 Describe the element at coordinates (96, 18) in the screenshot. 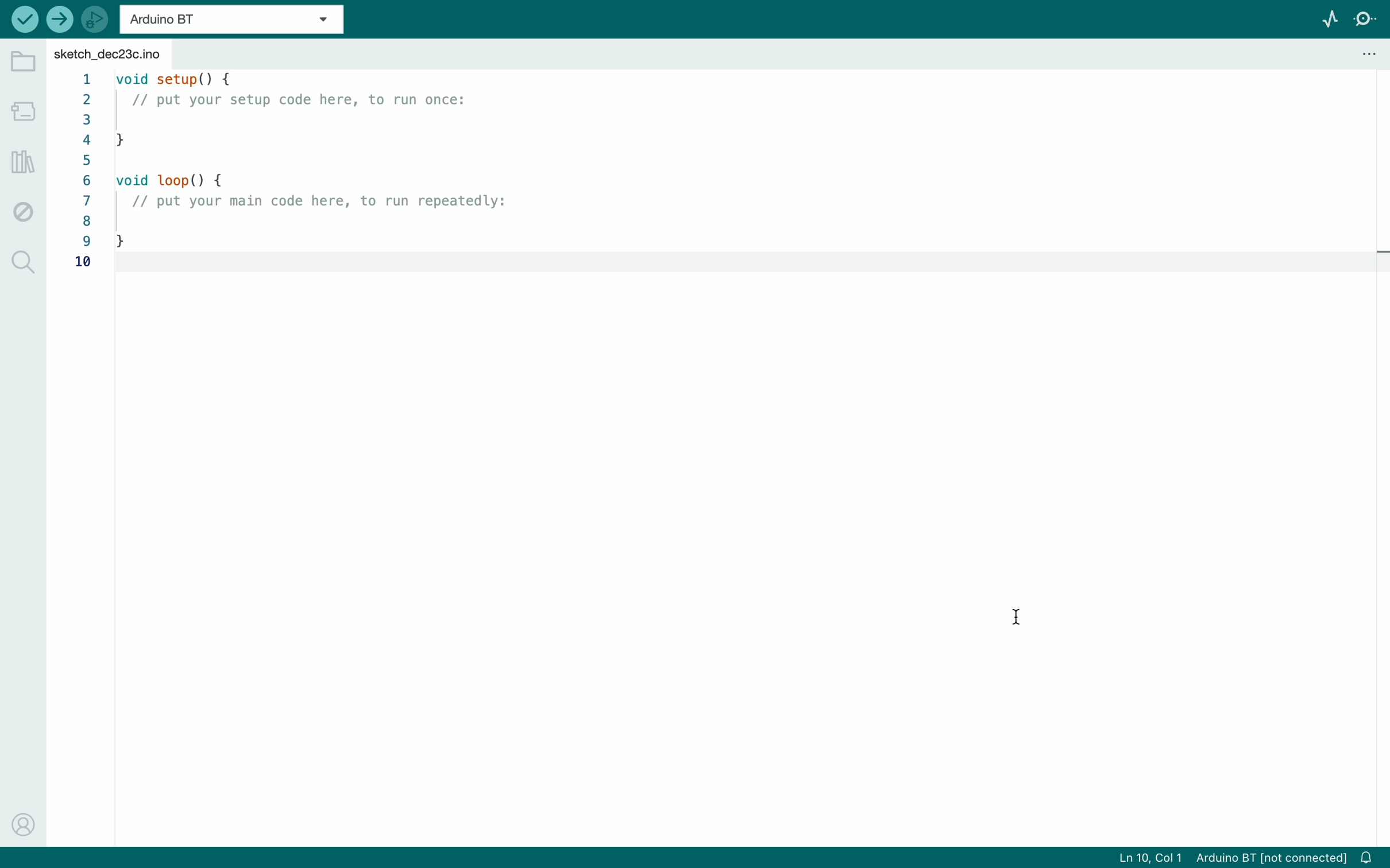

I see `debugger` at that location.